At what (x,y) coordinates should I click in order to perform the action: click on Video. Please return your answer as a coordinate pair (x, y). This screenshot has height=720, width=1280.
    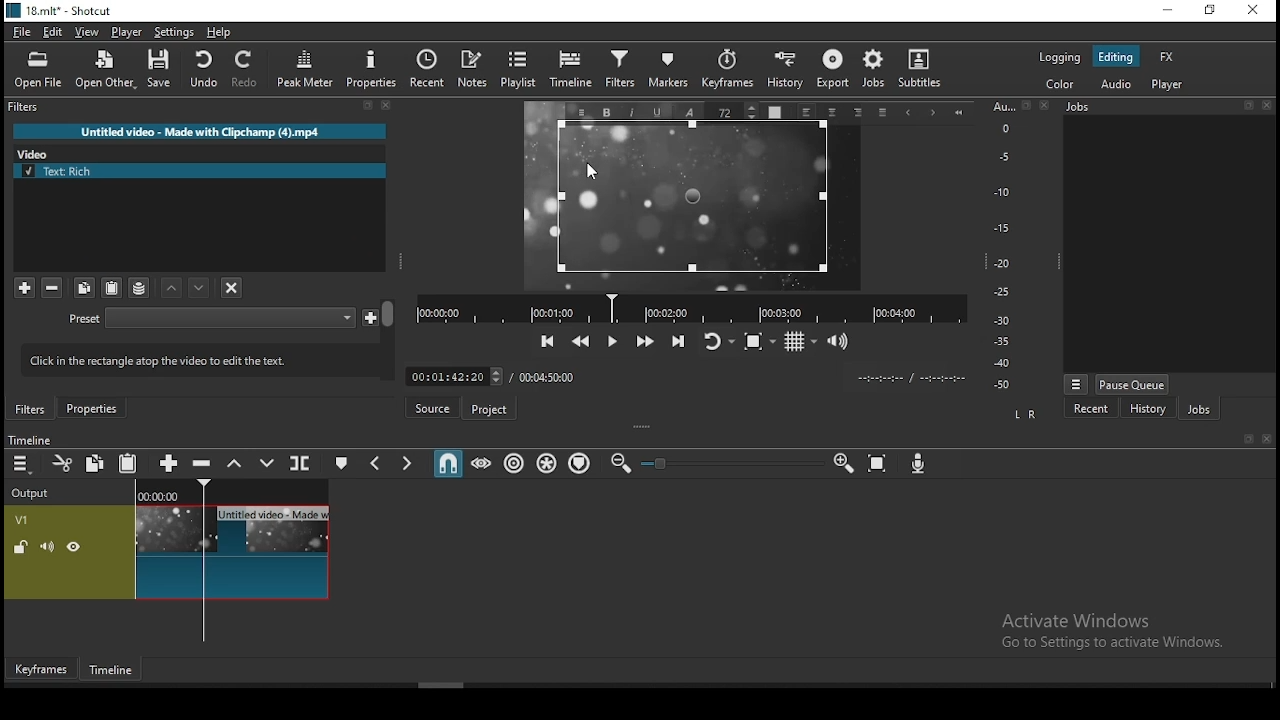
    Looking at the image, I should click on (38, 152).